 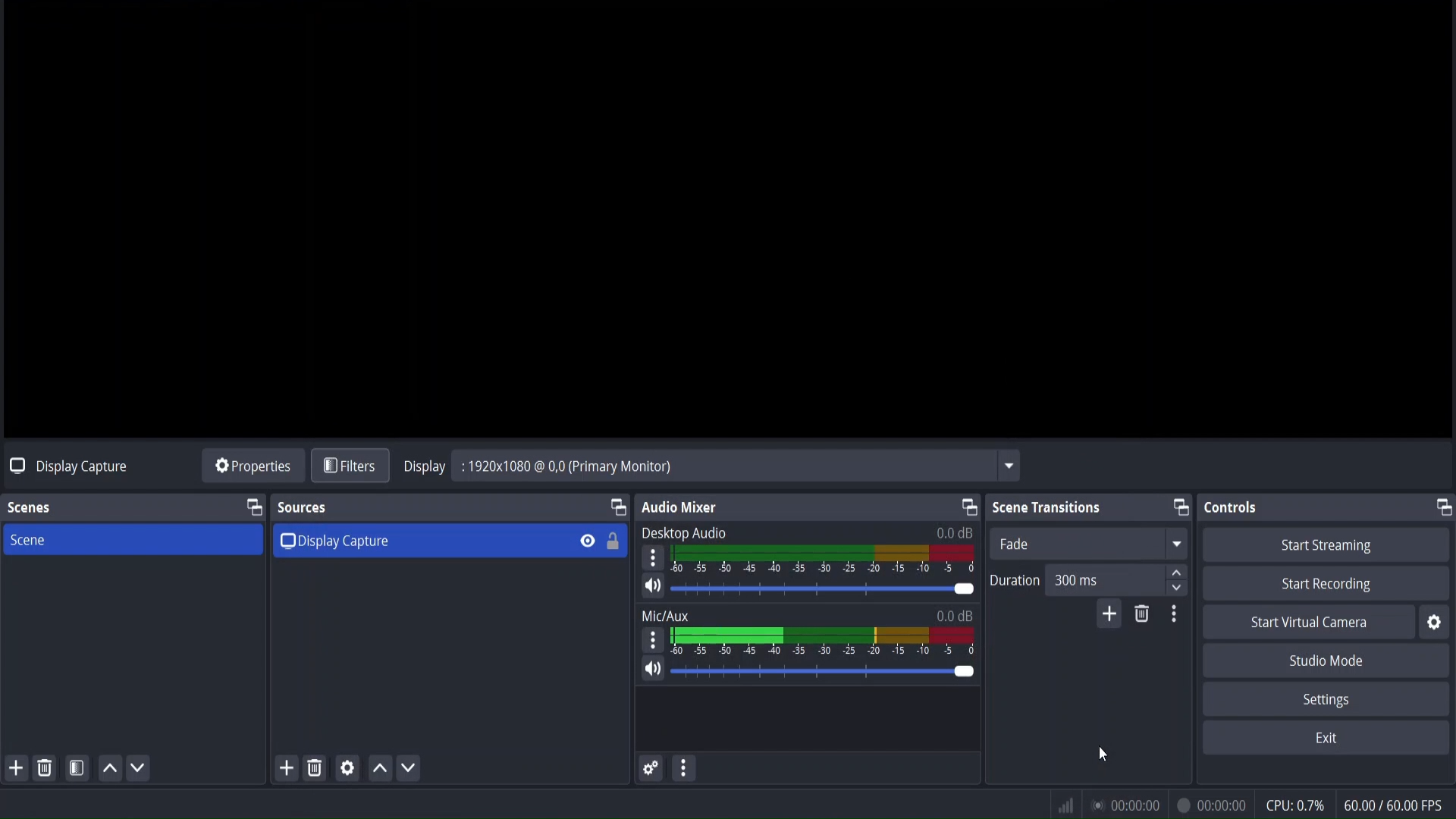 What do you see at coordinates (315, 767) in the screenshot?
I see `remove selected source` at bounding box center [315, 767].